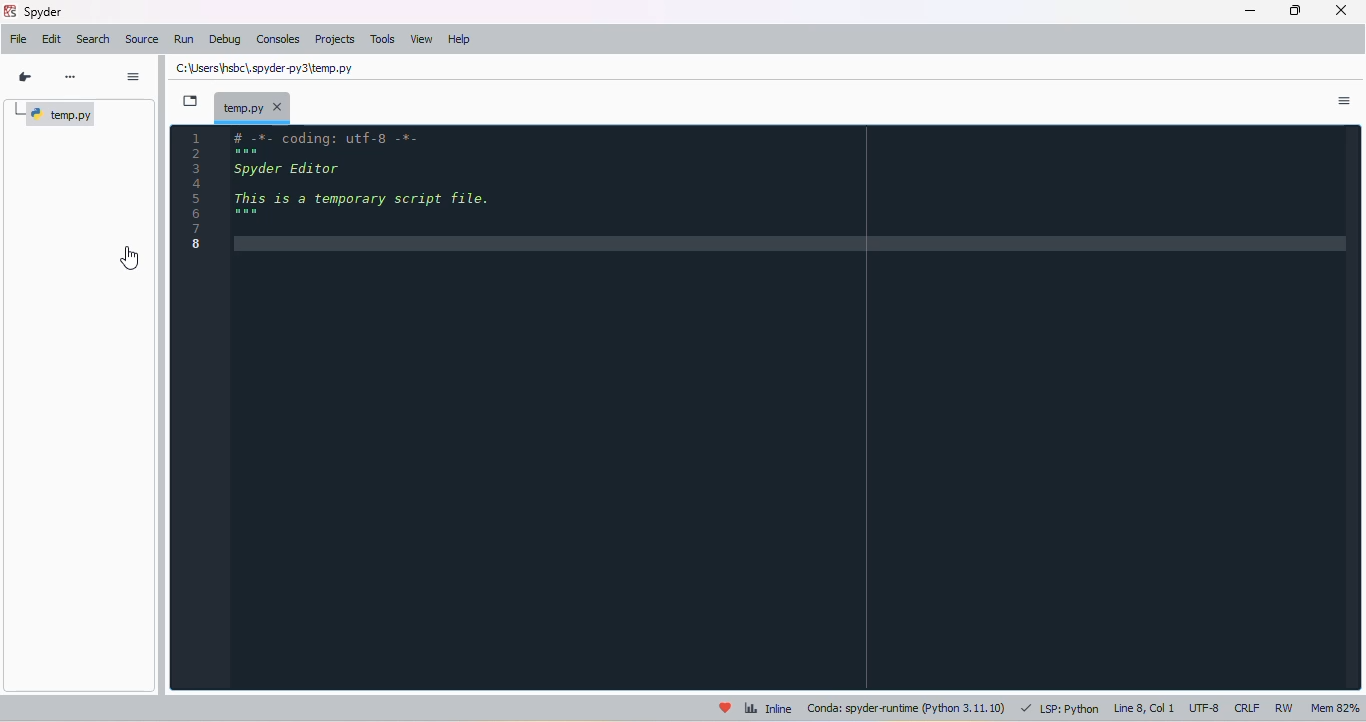  Describe the element at coordinates (278, 39) in the screenshot. I see `consoles` at that location.